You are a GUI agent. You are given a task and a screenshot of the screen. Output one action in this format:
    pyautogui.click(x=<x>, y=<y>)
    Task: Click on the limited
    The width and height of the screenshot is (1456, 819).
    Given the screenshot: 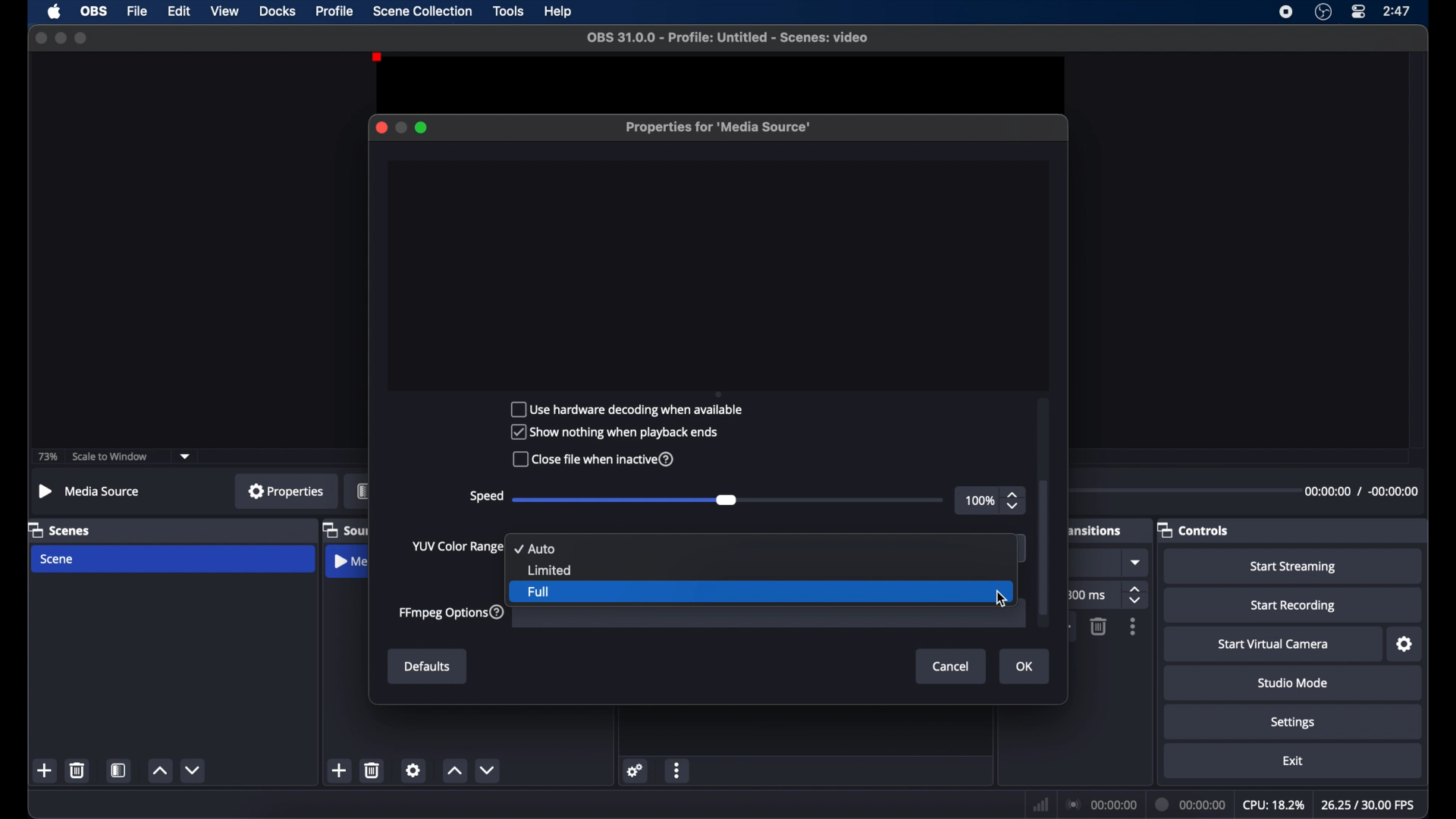 What is the action you would take?
    pyautogui.click(x=550, y=570)
    